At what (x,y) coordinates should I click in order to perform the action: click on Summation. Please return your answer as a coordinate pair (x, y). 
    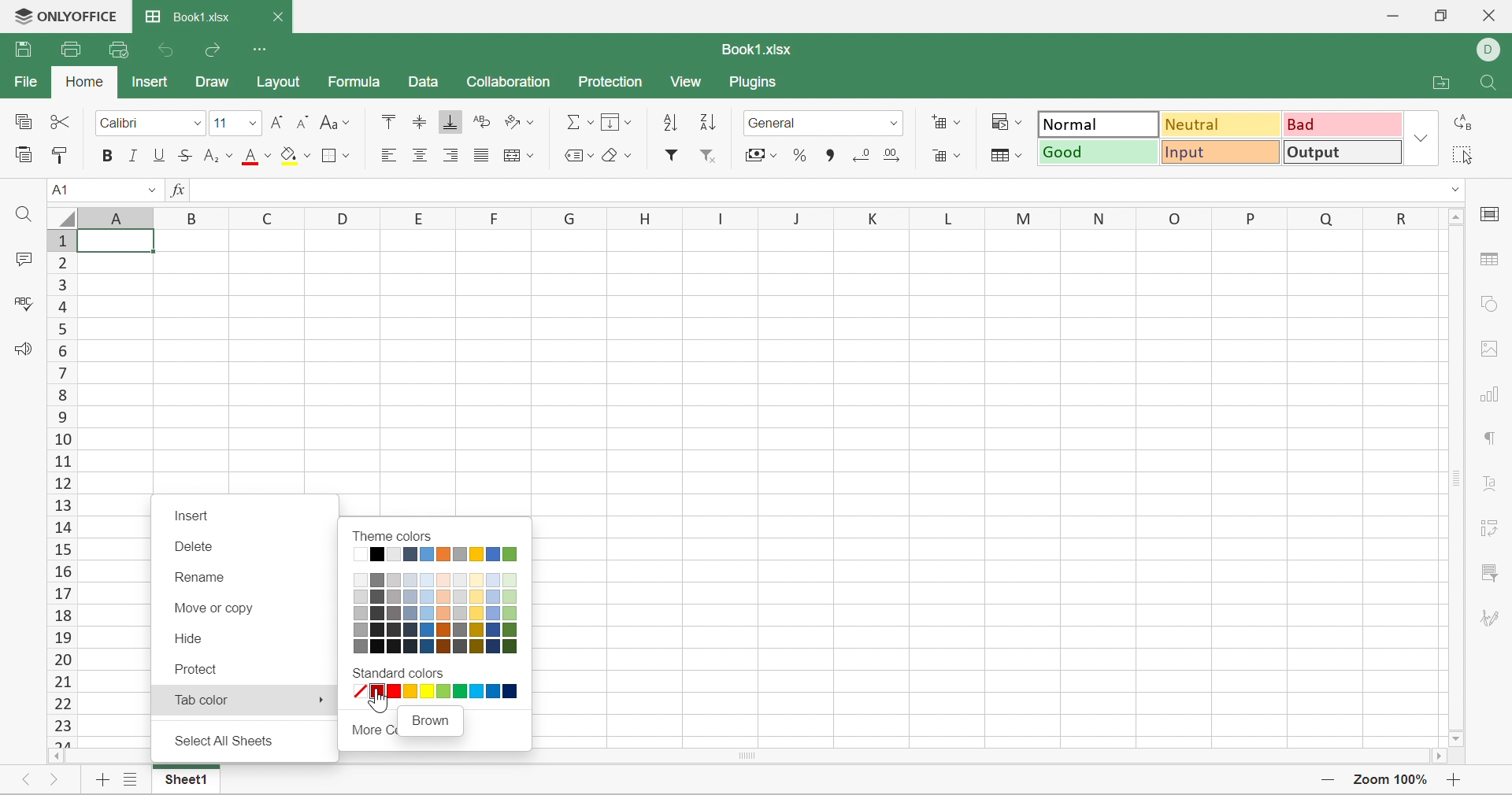
    Looking at the image, I should click on (579, 124).